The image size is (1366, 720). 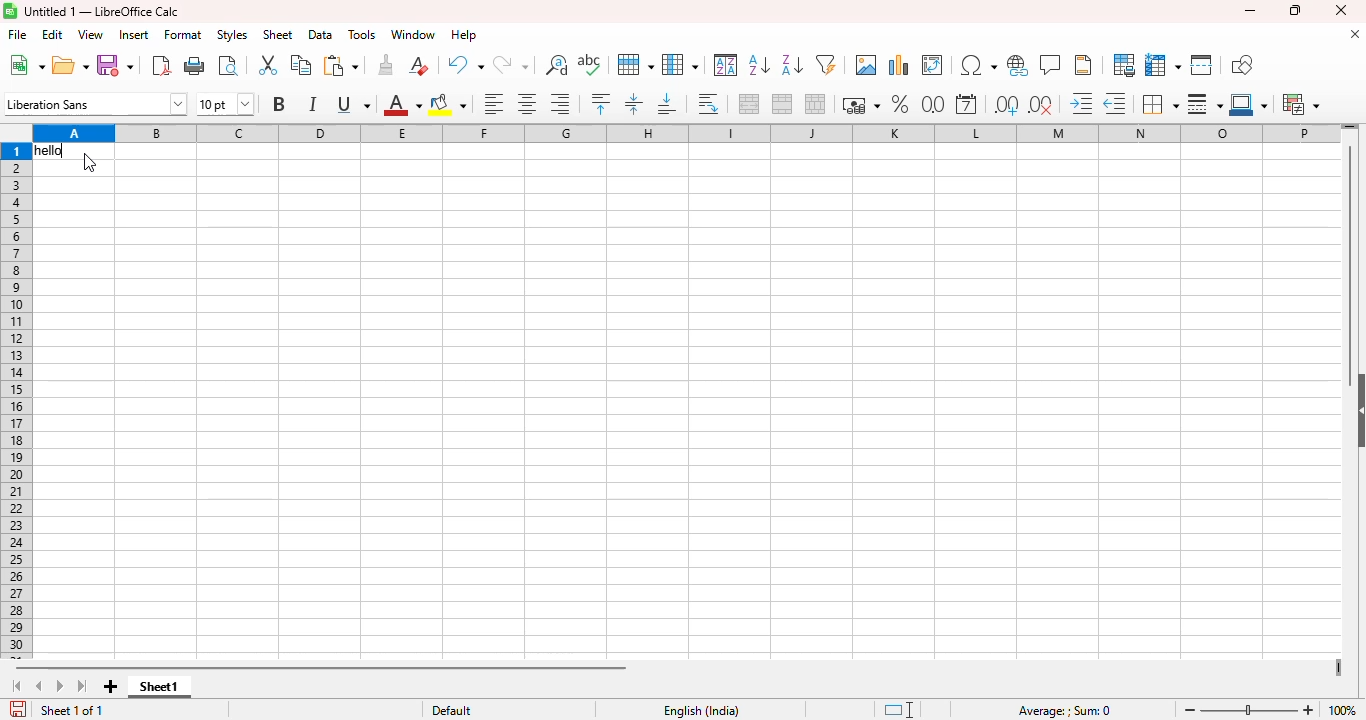 What do you see at coordinates (70, 64) in the screenshot?
I see `open` at bounding box center [70, 64].